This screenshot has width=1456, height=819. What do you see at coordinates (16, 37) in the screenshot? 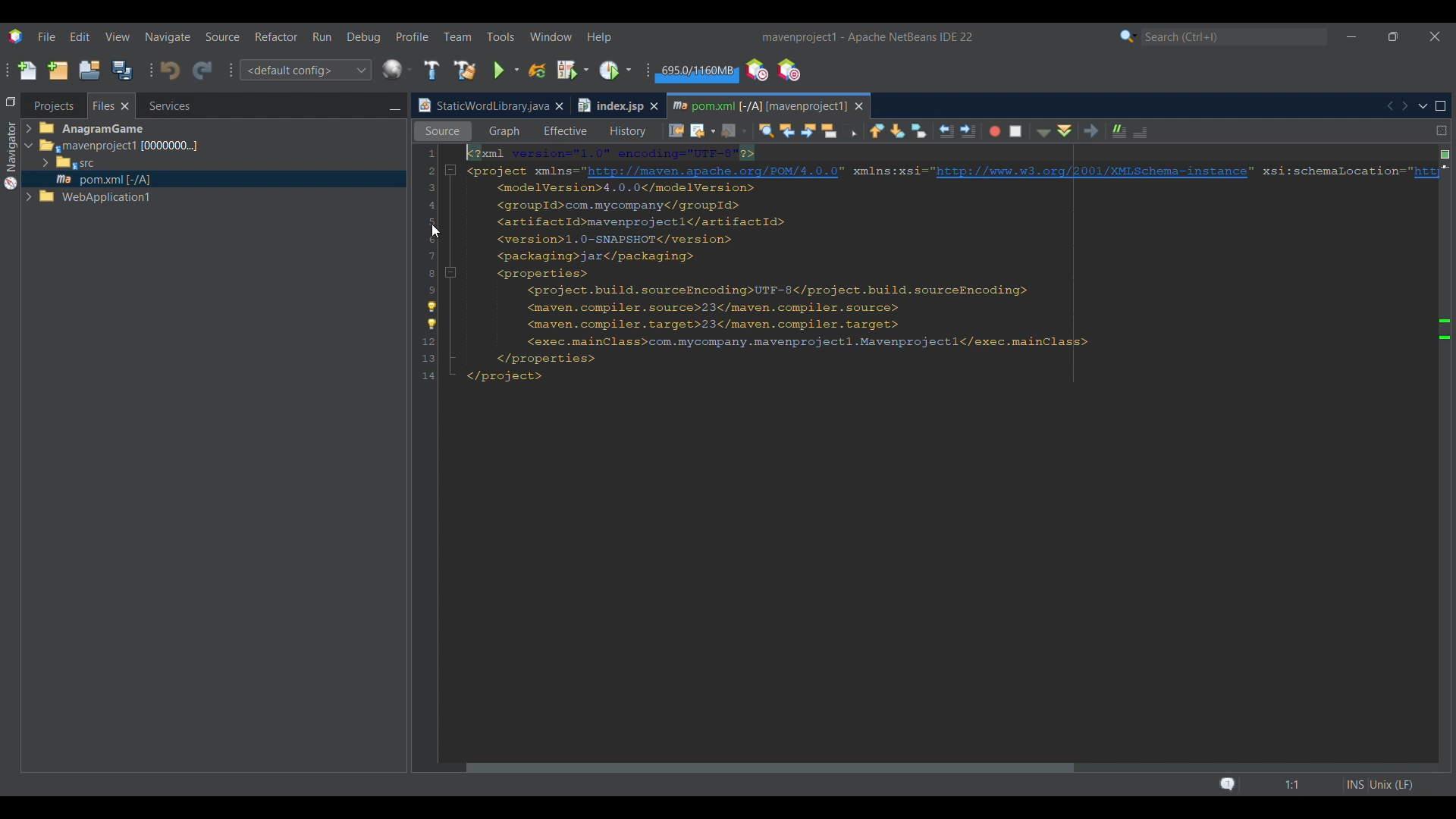
I see `Software logo` at bounding box center [16, 37].